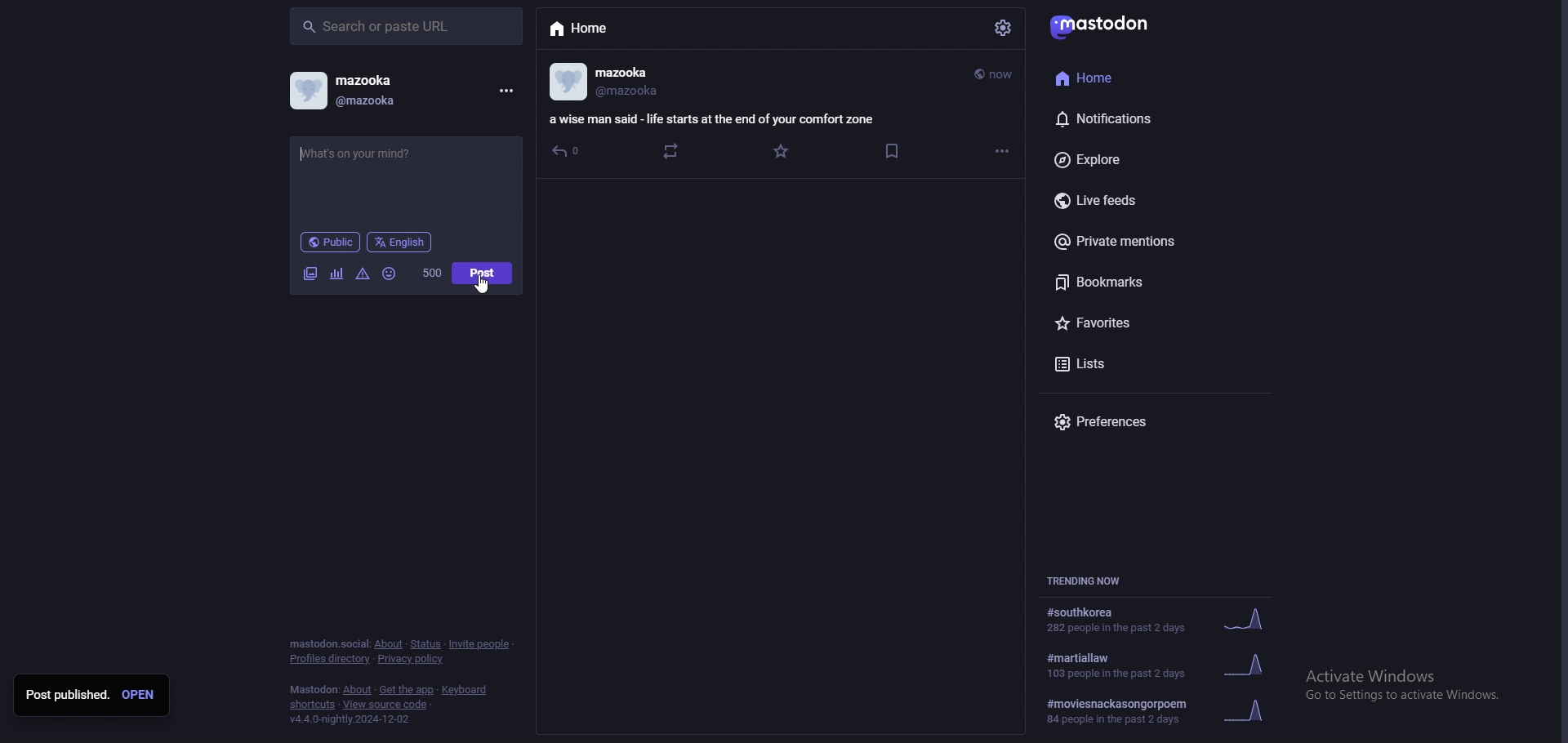  Describe the element at coordinates (1003, 27) in the screenshot. I see `settings` at that location.